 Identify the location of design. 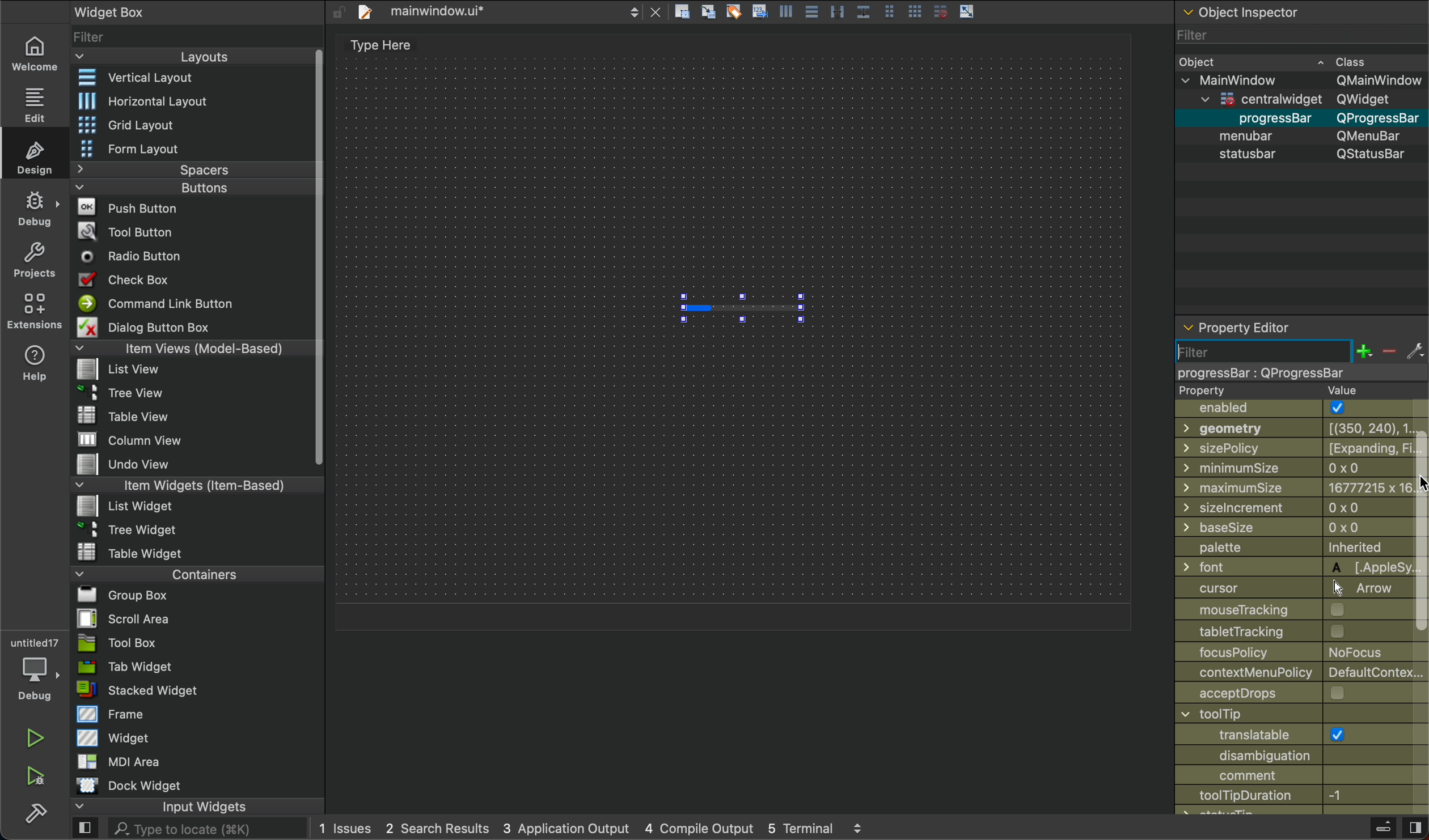
(37, 156).